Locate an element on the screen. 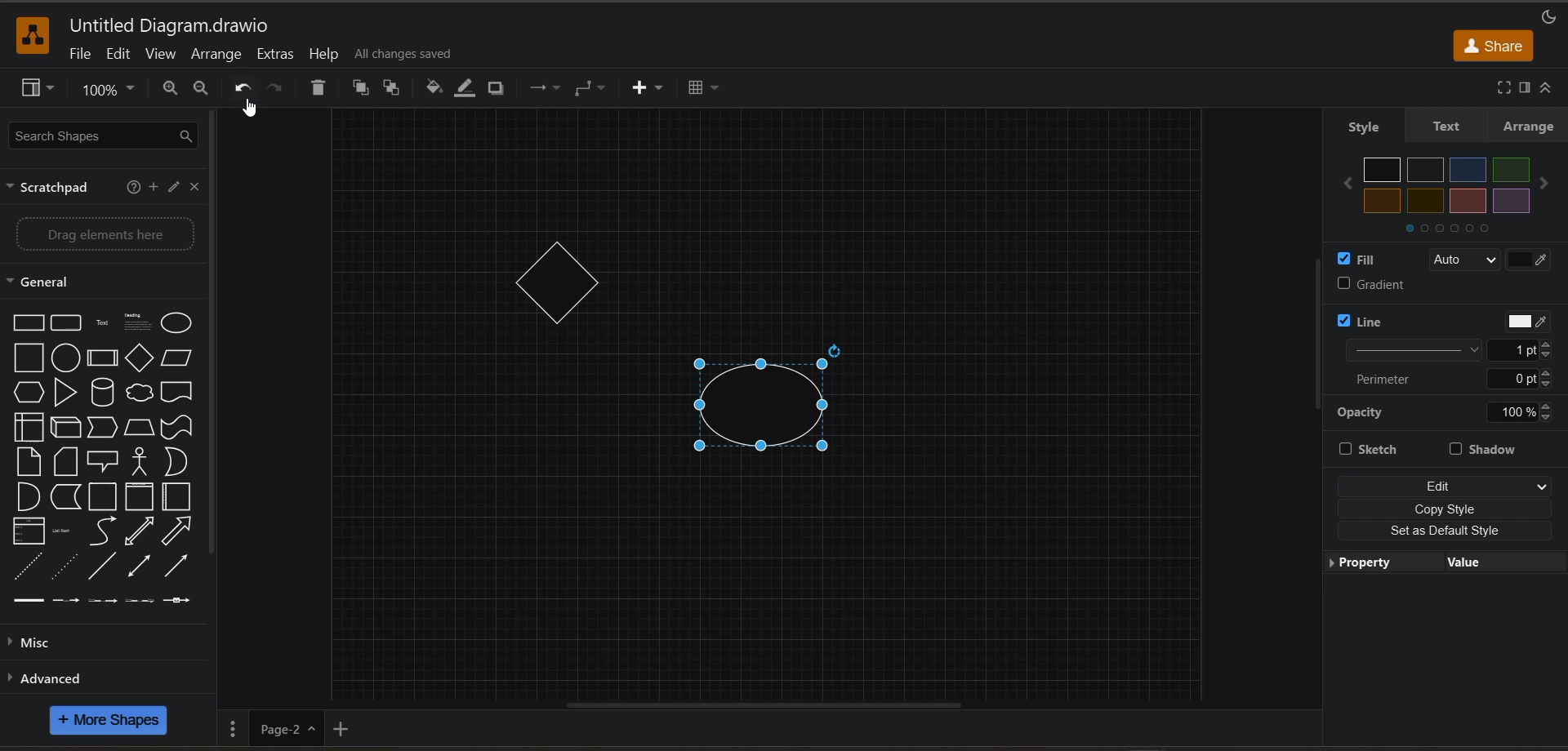 The height and width of the screenshot is (751, 1568). Documents is located at coordinates (177, 392).